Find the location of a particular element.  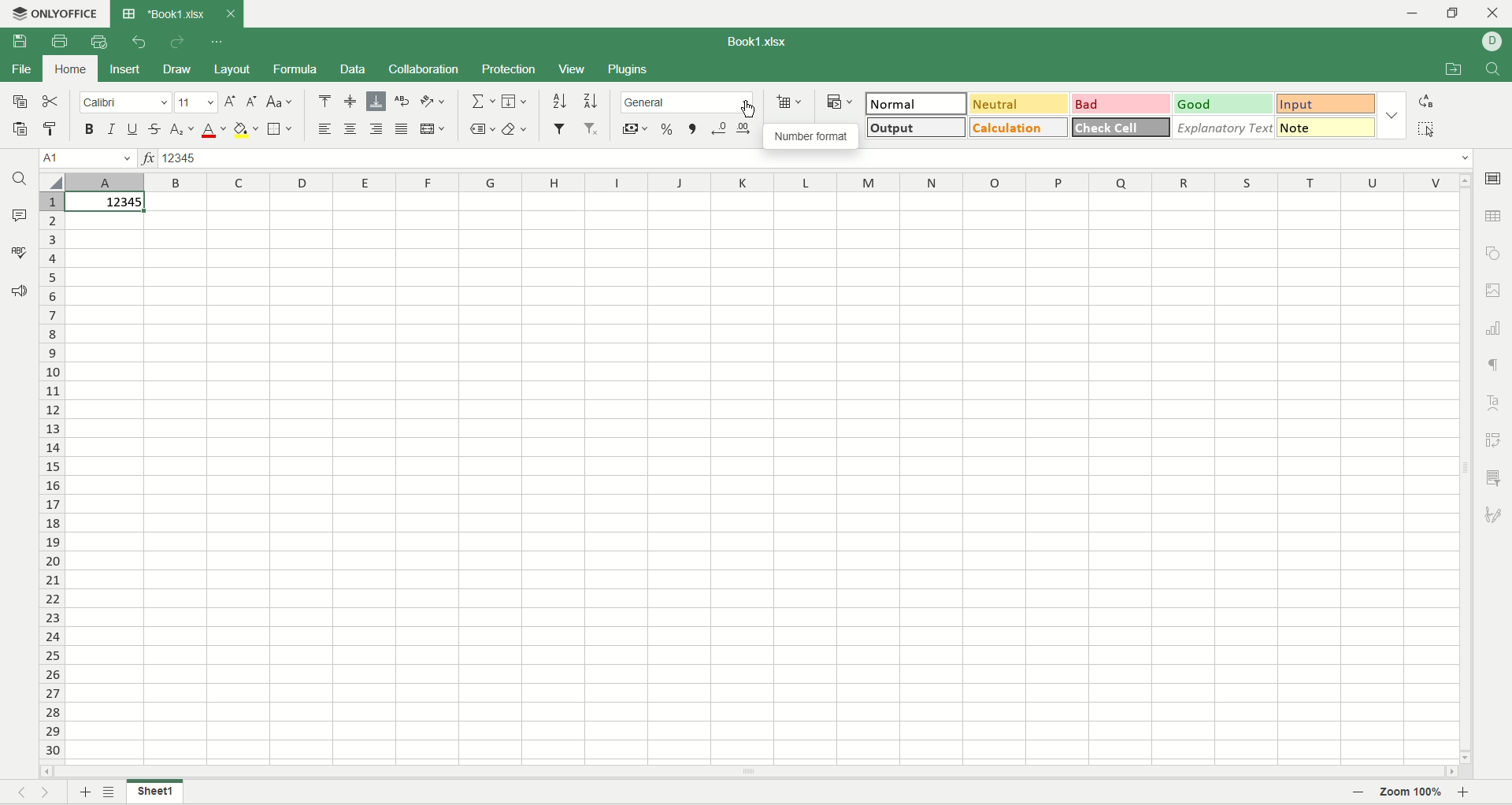

select all is located at coordinates (1427, 131).